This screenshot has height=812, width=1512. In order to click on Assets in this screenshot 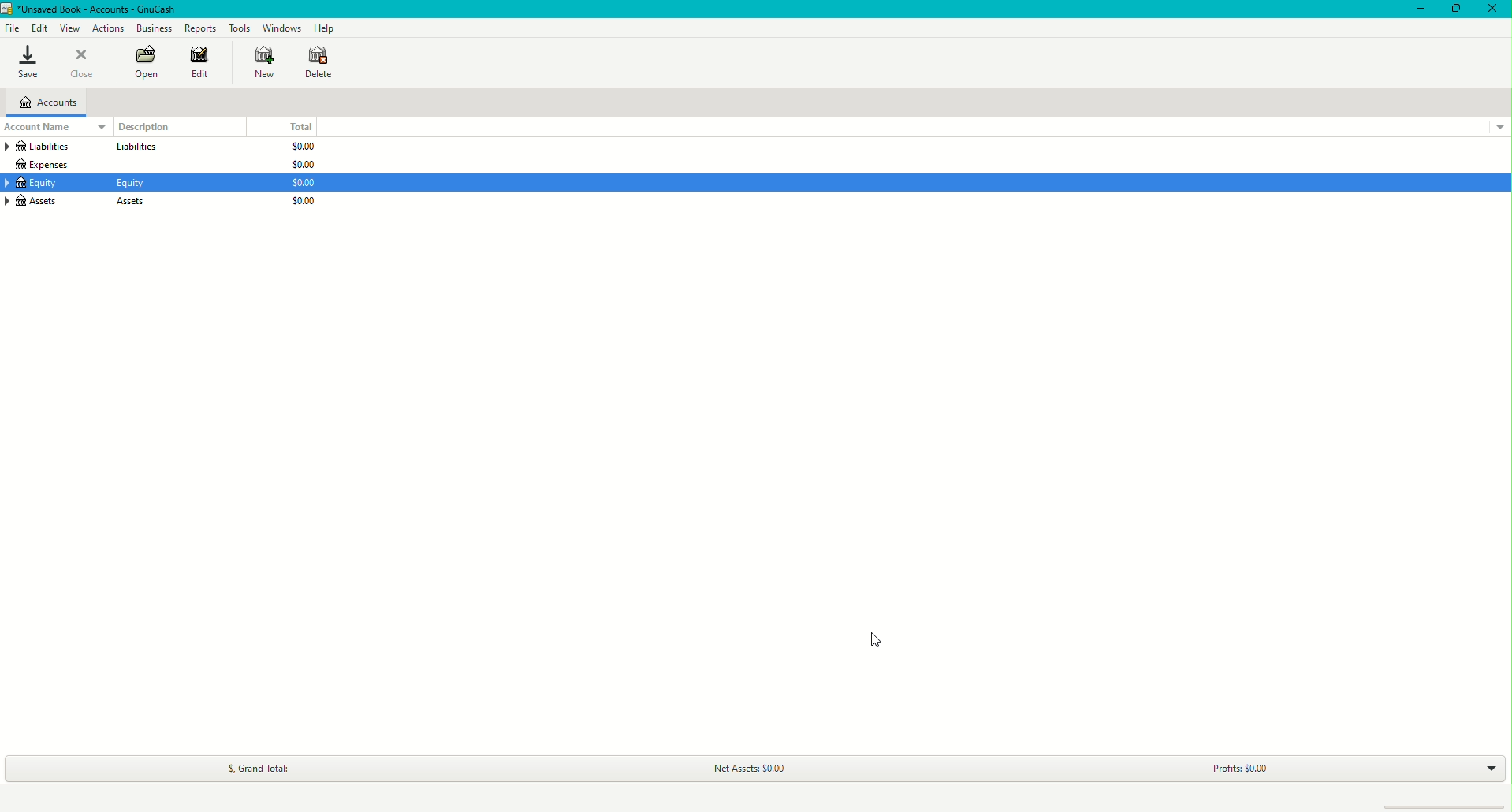, I will do `click(132, 184)`.